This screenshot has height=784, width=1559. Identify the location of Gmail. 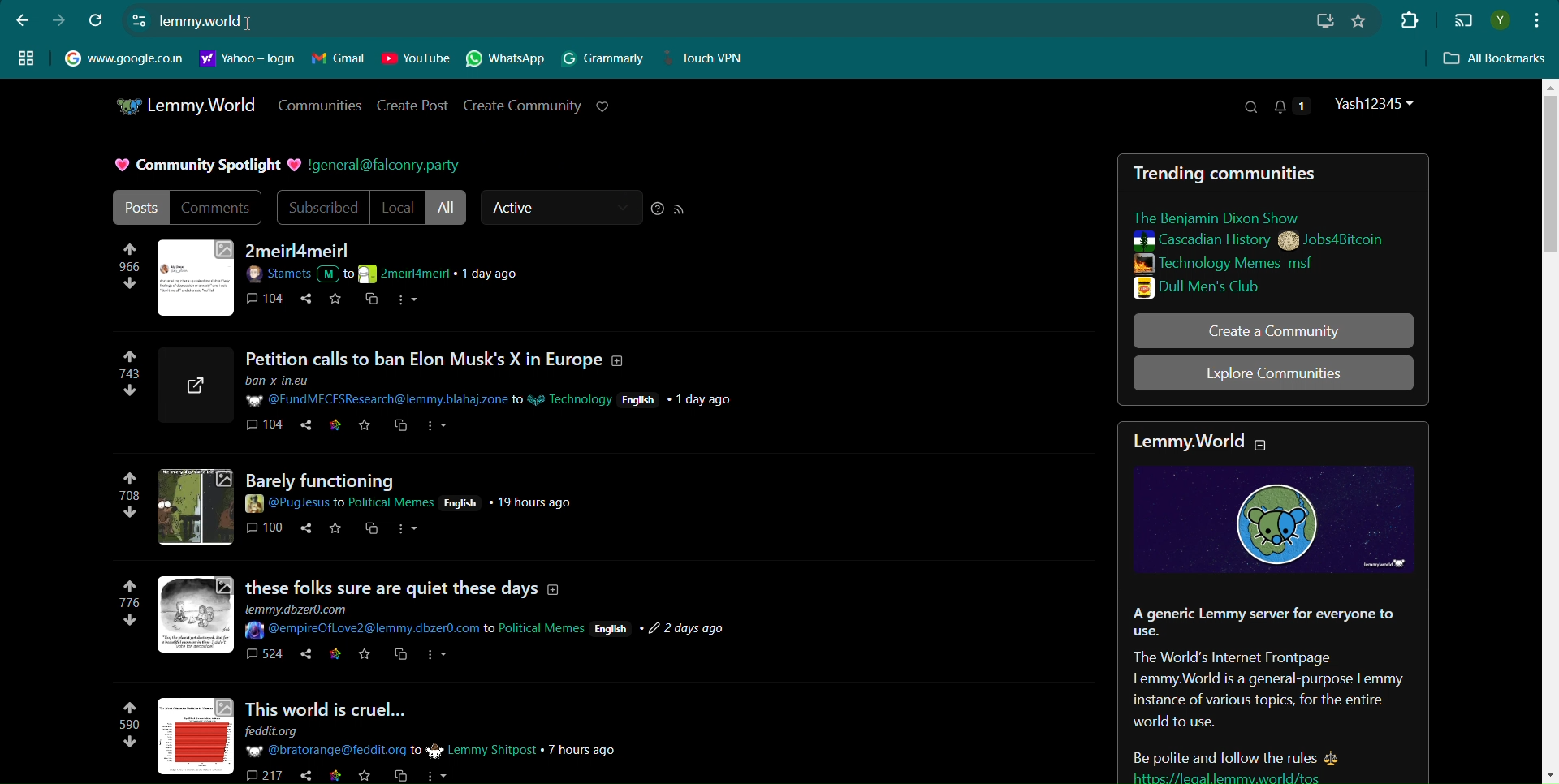
(339, 58).